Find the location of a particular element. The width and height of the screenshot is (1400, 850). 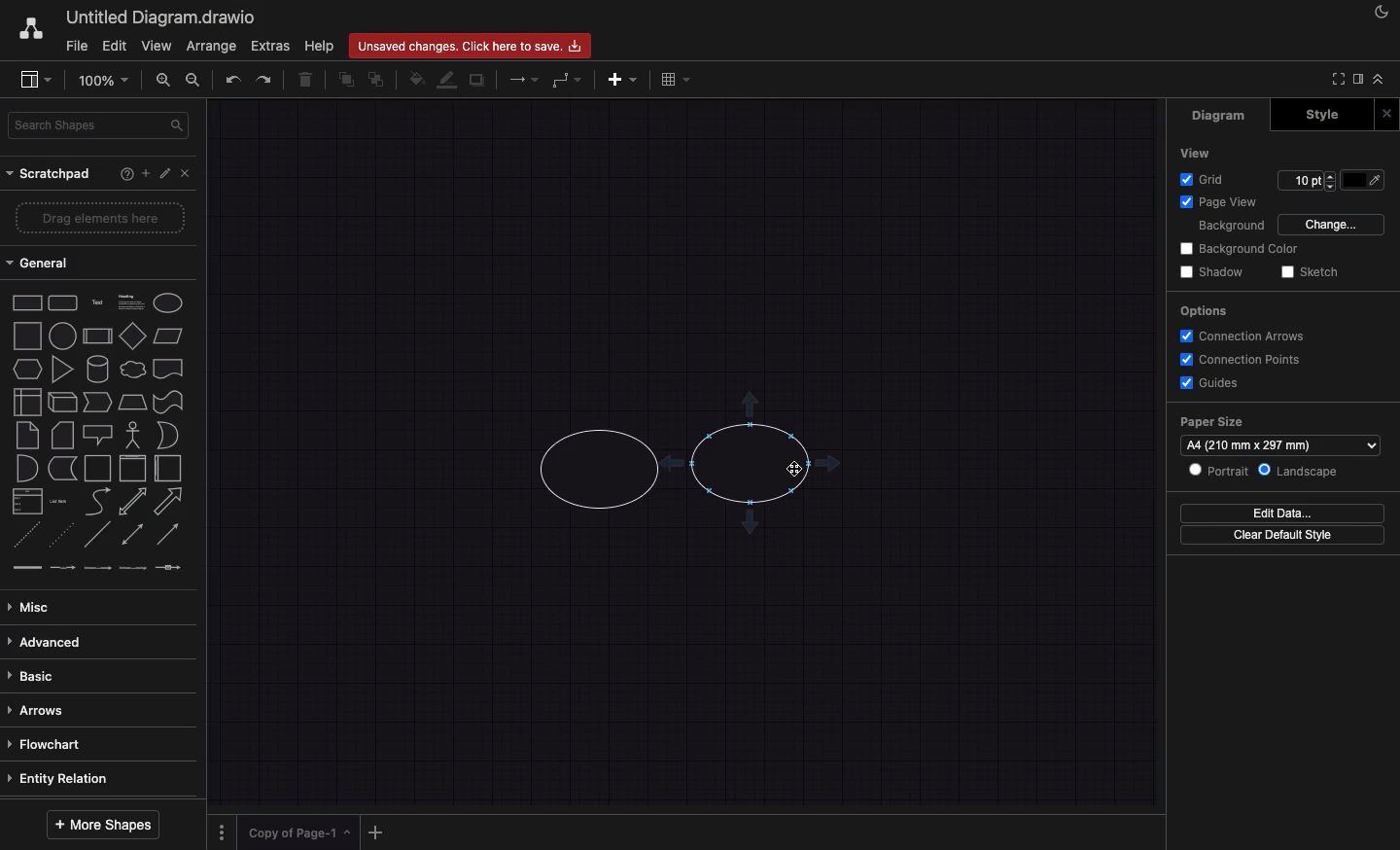

internal storage is located at coordinates (27, 401).